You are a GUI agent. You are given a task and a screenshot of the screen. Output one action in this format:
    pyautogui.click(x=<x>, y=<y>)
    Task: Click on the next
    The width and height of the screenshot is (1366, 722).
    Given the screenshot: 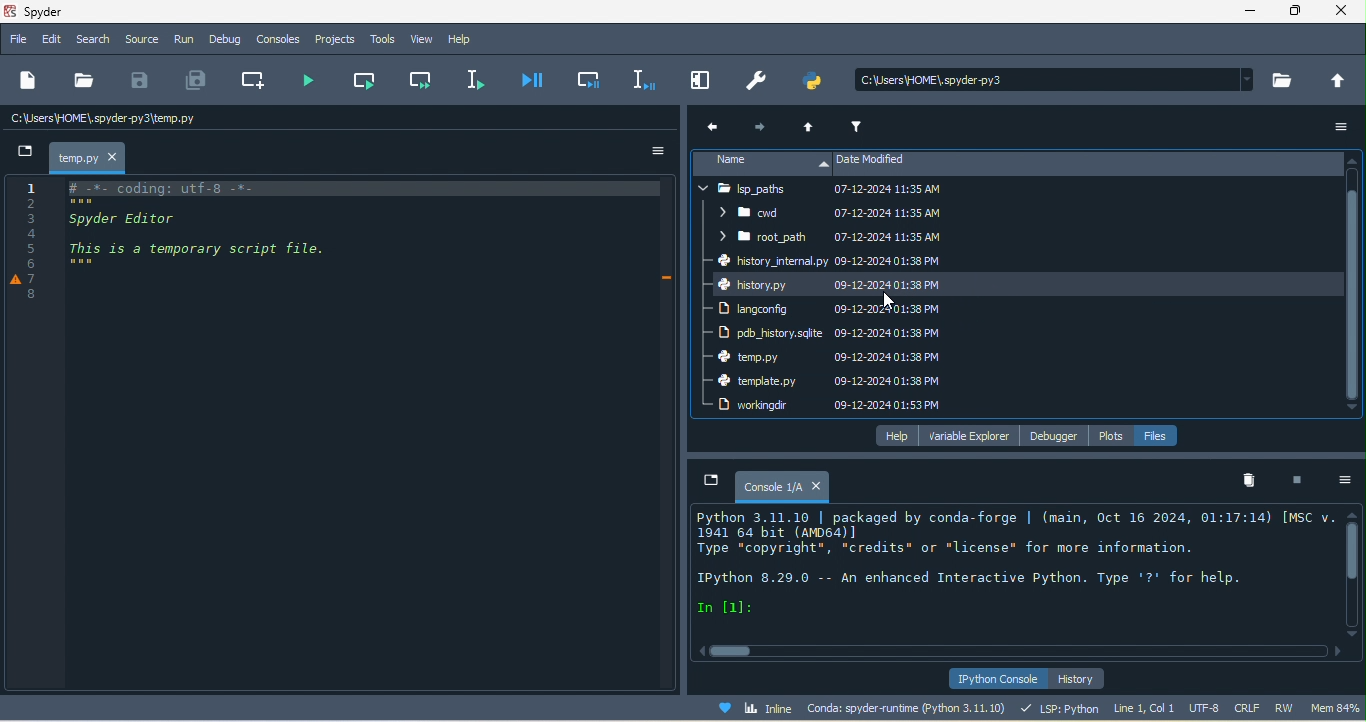 What is the action you would take?
    pyautogui.click(x=755, y=127)
    